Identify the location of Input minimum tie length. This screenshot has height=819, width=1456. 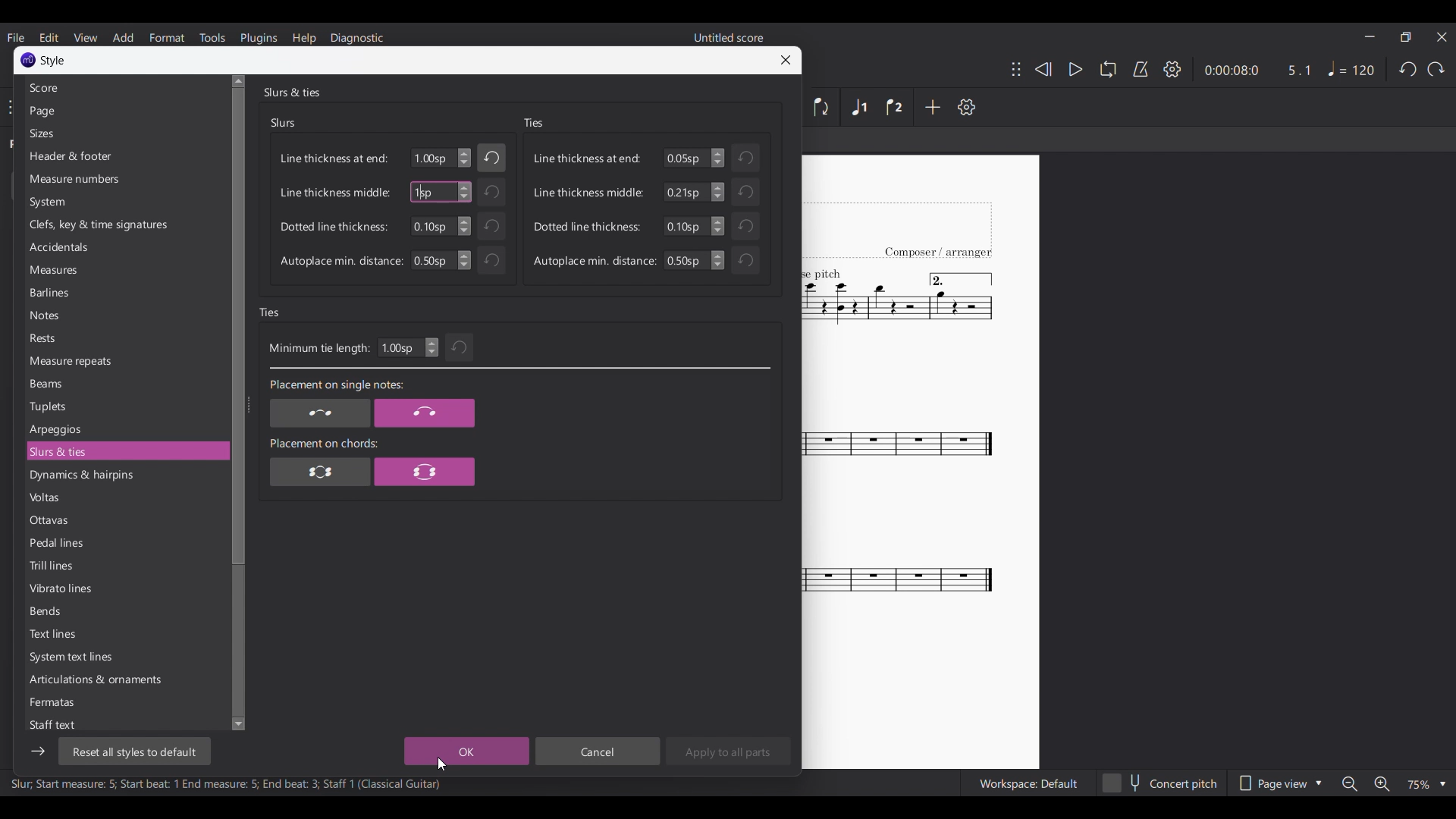
(400, 347).